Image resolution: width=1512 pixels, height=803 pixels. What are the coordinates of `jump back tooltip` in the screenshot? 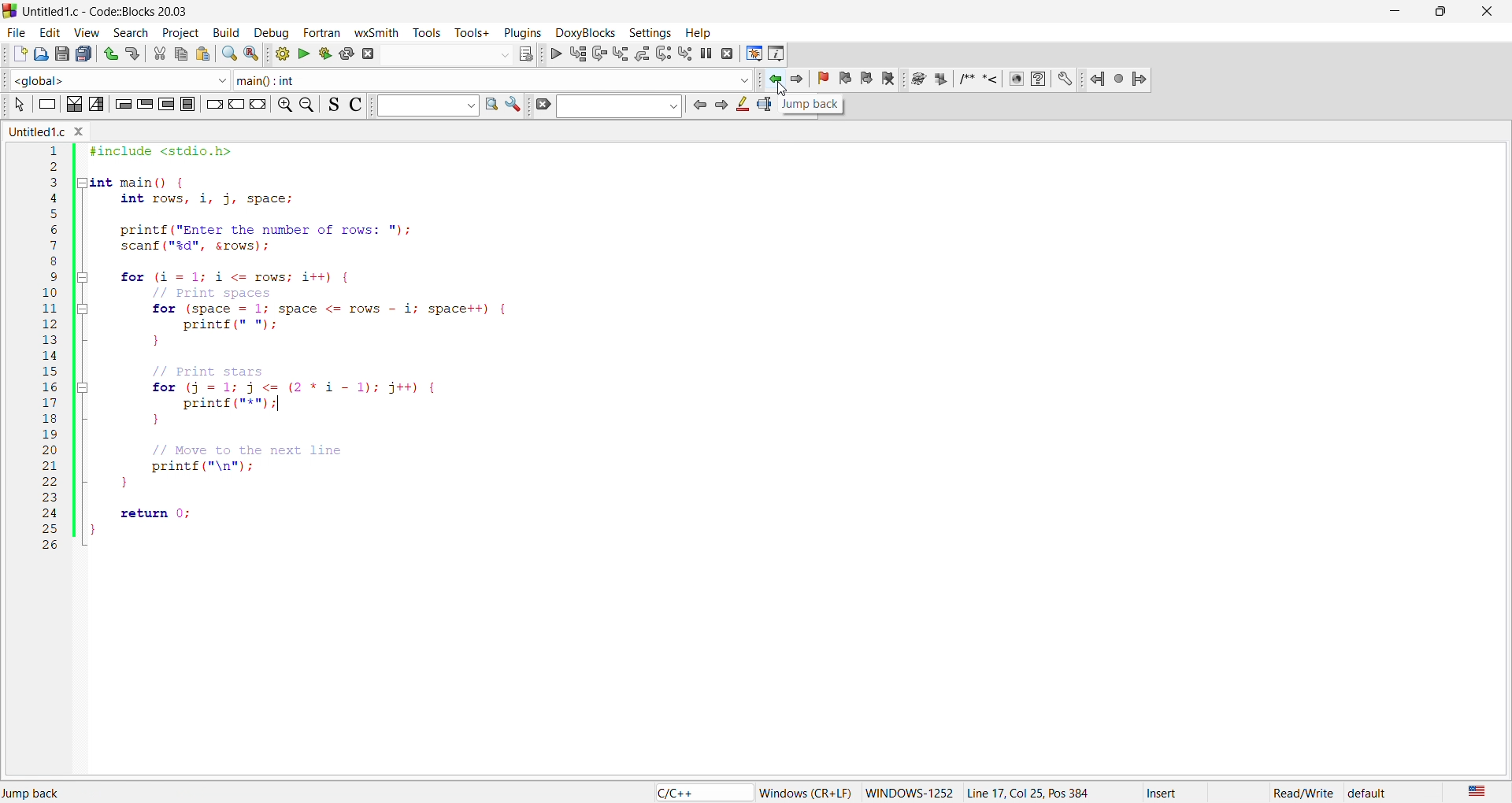 It's located at (815, 103).